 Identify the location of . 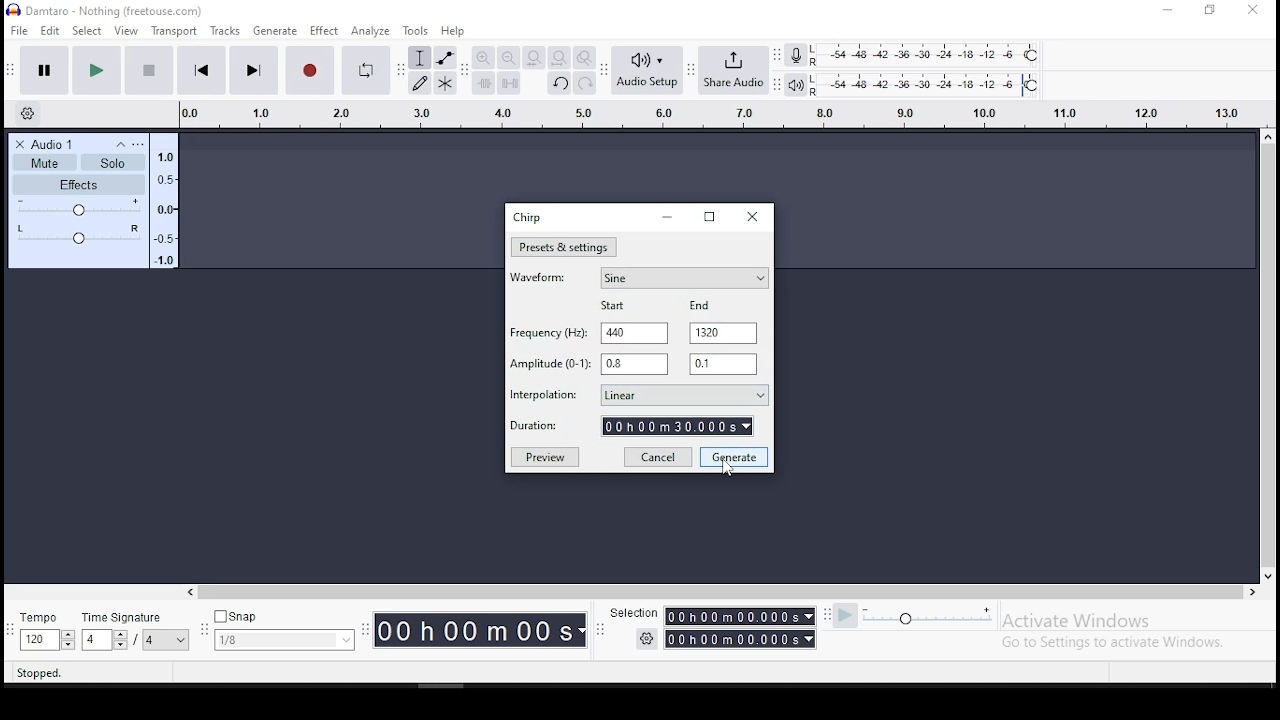
(1168, 9).